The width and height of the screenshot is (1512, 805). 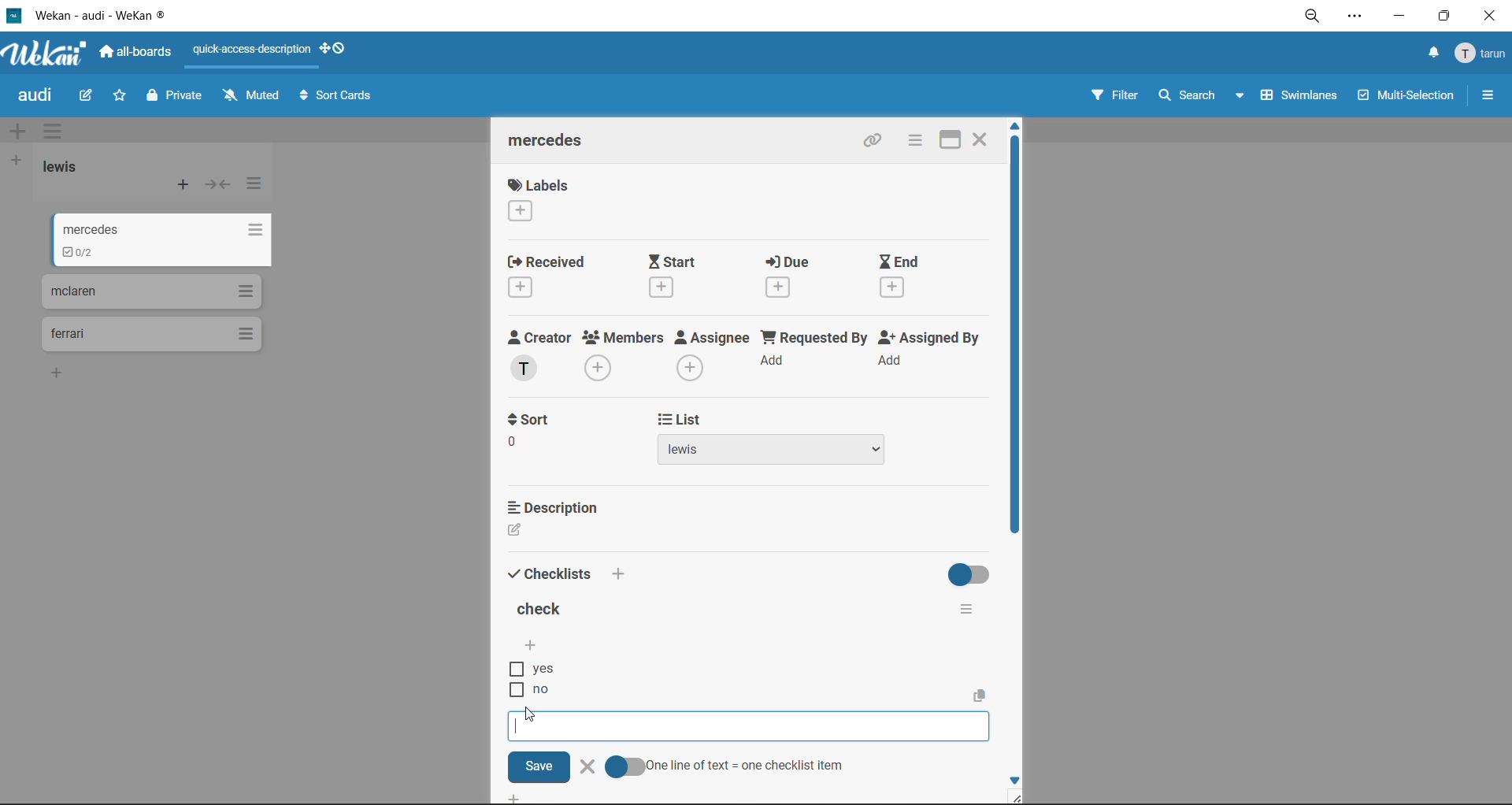 What do you see at coordinates (775, 361) in the screenshot?
I see `Add` at bounding box center [775, 361].